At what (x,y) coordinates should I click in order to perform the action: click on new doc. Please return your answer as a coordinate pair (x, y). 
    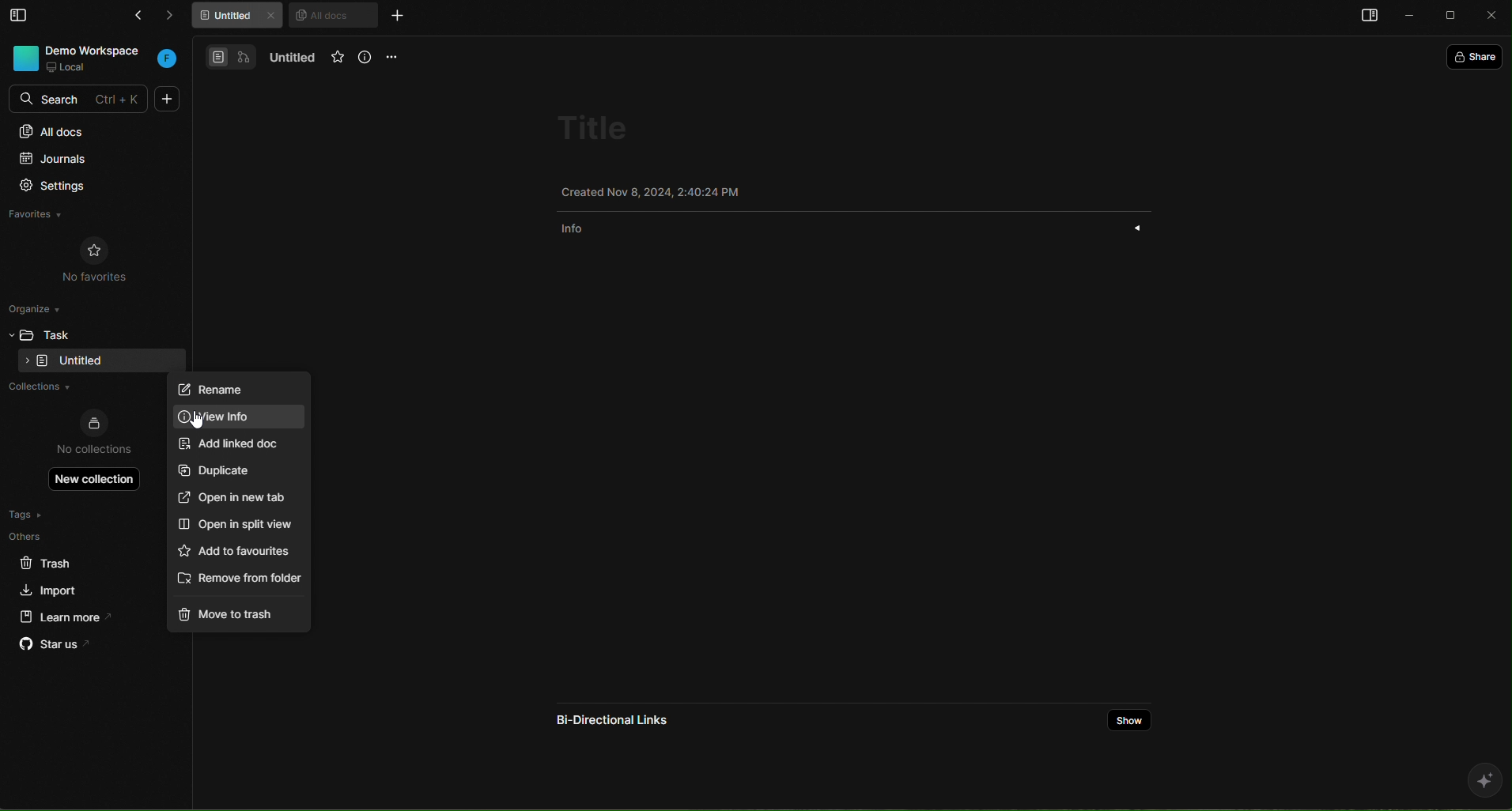
    Looking at the image, I should click on (168, 99).